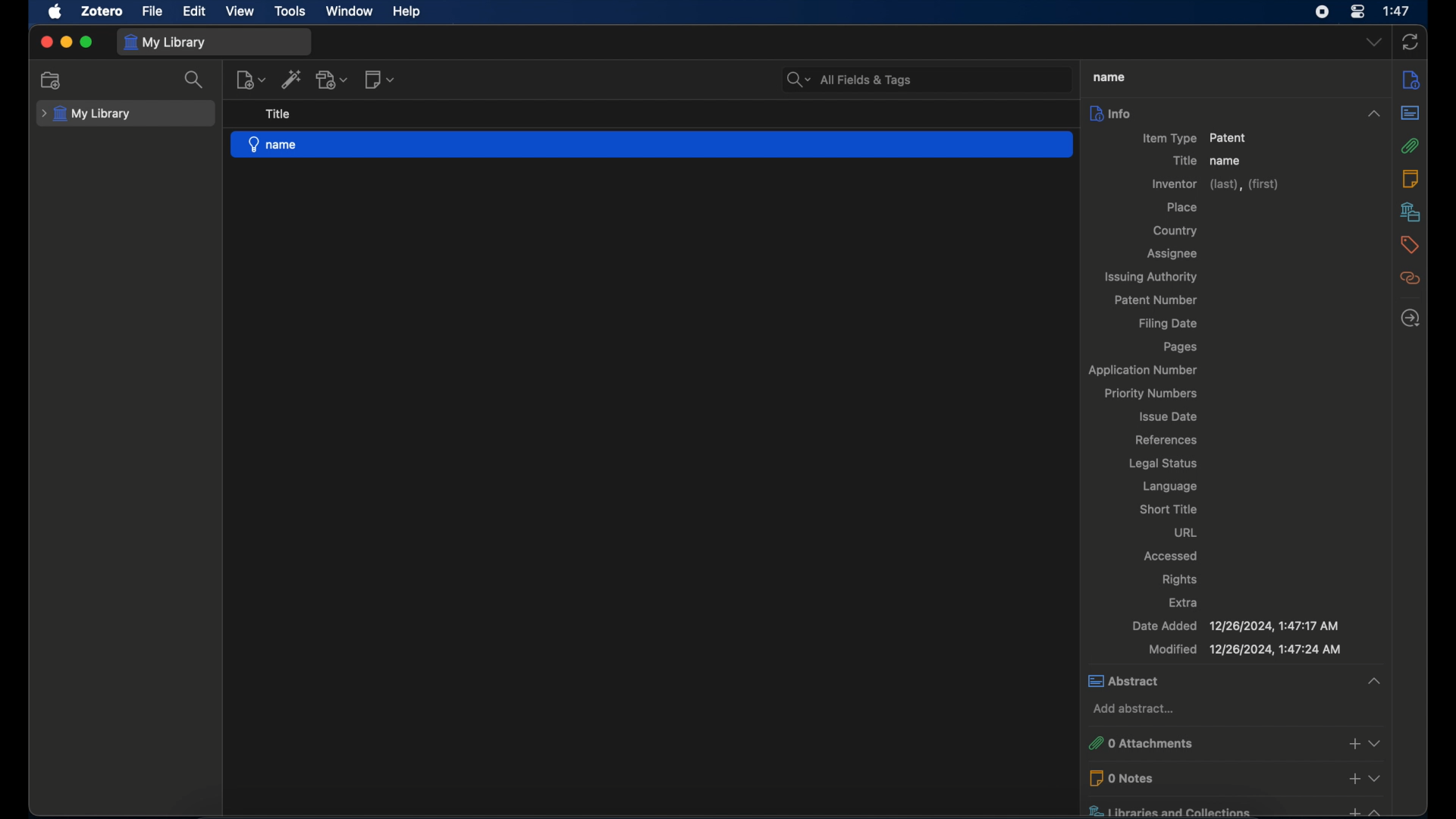 The image size is (1456, 819). Describe the element at coordinates (1374, 42) in the screenshot. I see `dropdown` at that location.